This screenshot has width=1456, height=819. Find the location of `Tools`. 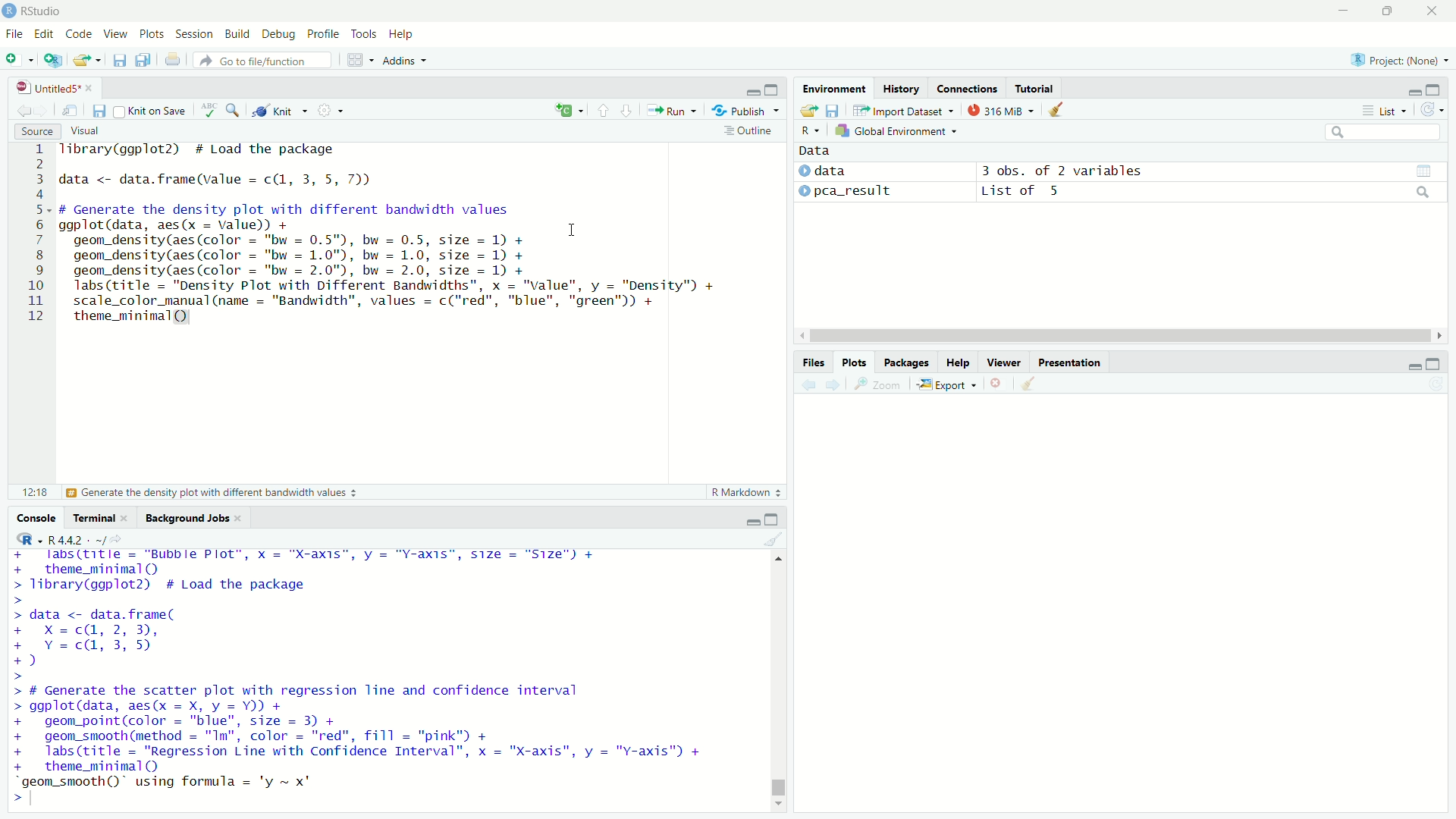

Tools is located at coordinates (364, 33).